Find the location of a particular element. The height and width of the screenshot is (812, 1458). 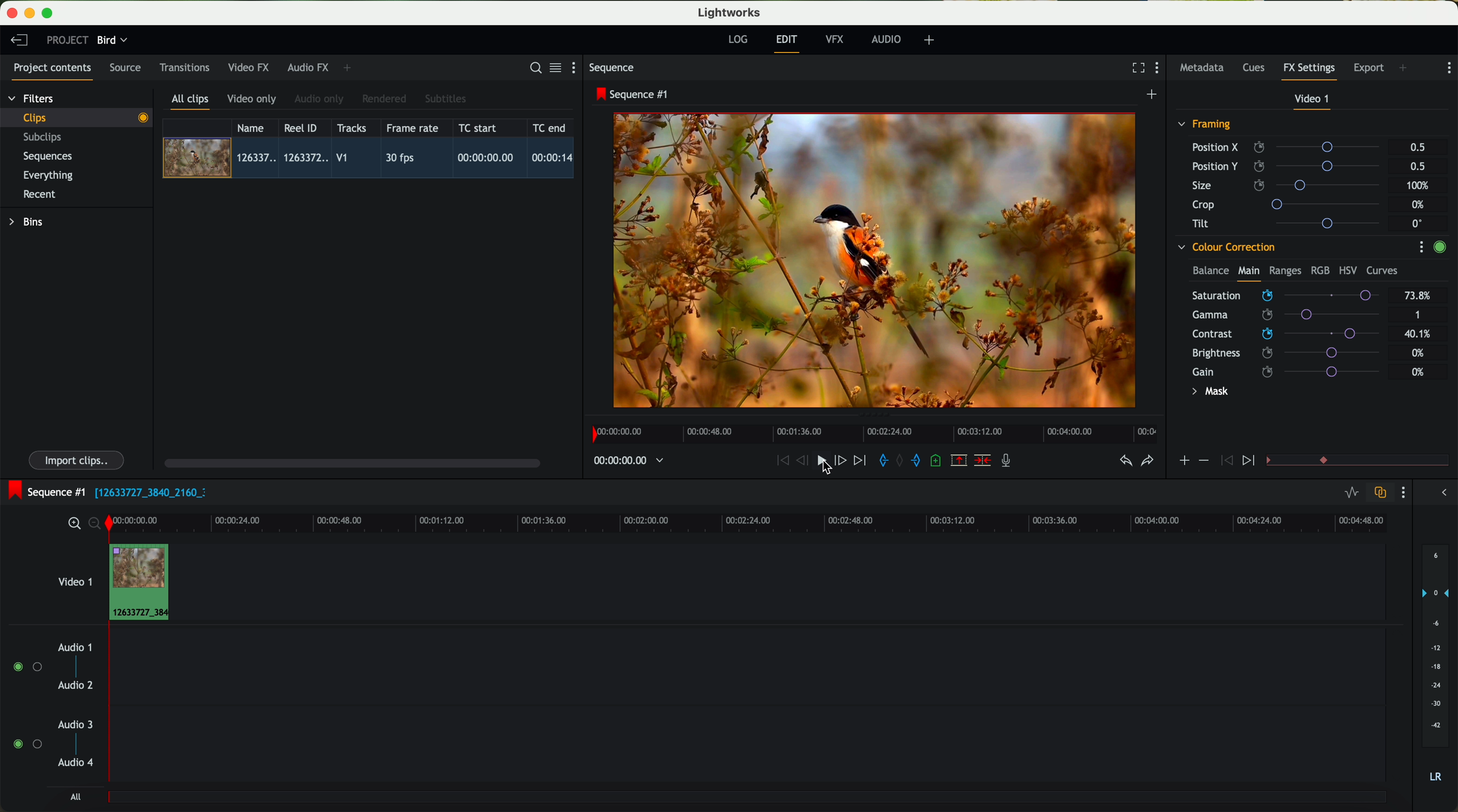

73.8% is located at coordinates (1418, 296).